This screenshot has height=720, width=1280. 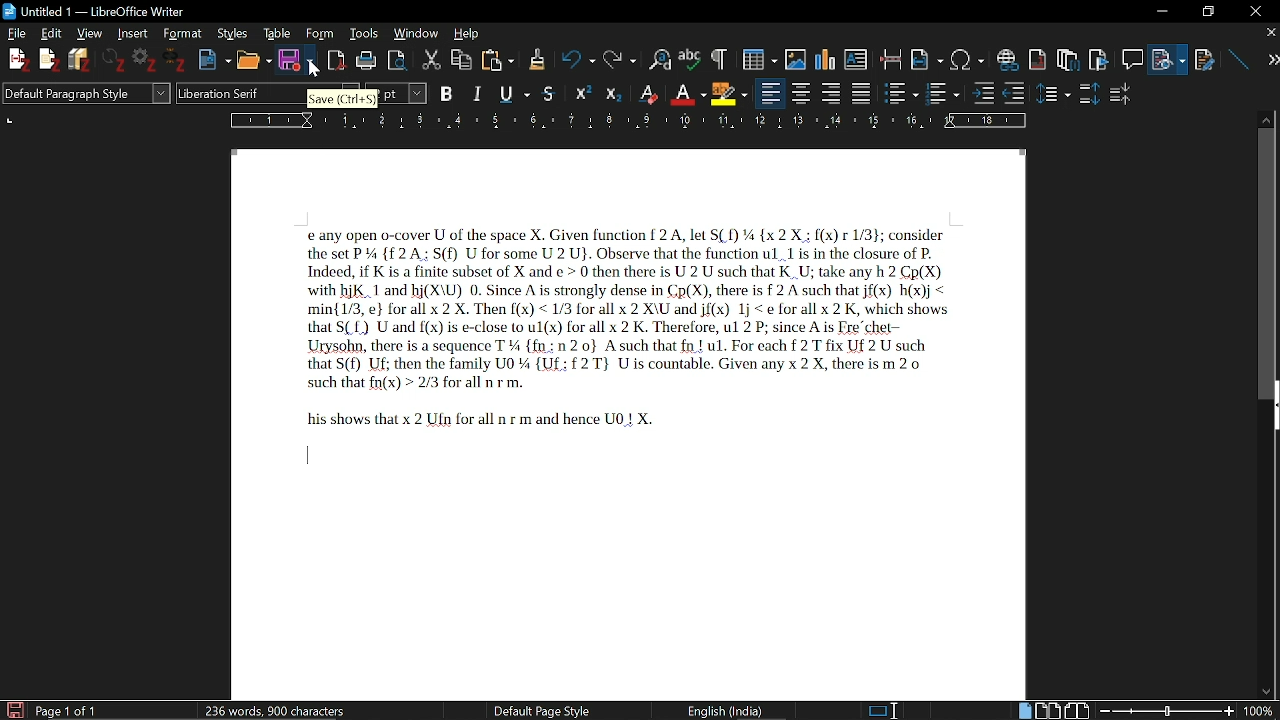 I want to click on single page, so click(x=1025, y=710).